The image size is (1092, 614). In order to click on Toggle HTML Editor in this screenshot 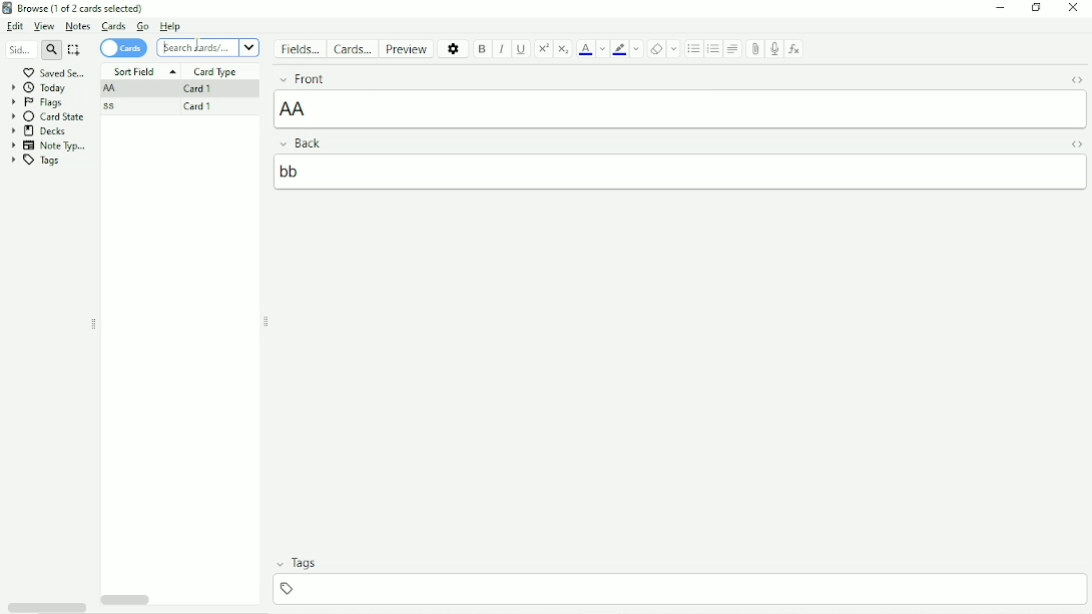, I will do `click(1076, 79)`.